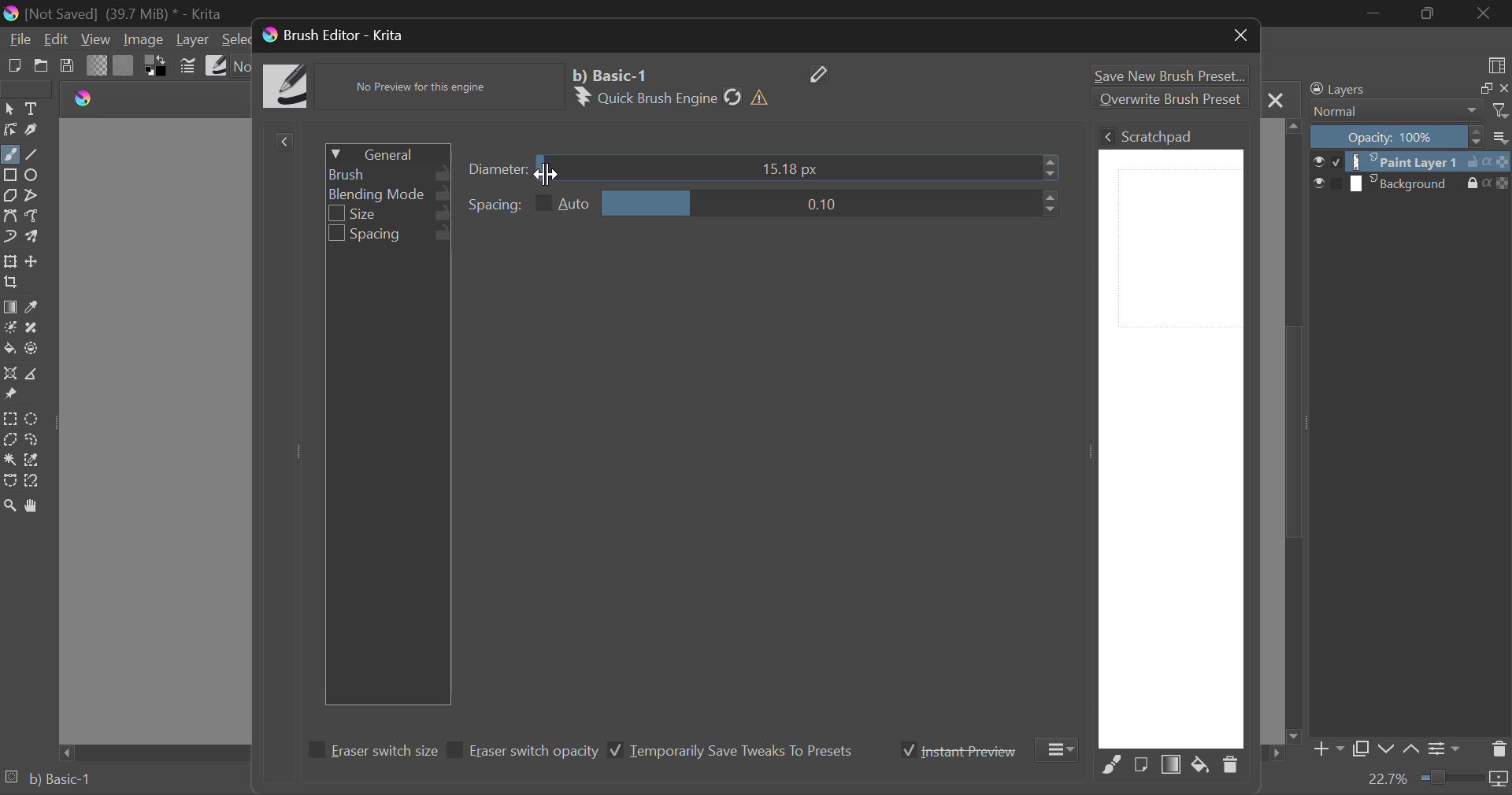  Describe the element at coordinates (1429, 13) in the screenshot. I see `Minimize` at that location.